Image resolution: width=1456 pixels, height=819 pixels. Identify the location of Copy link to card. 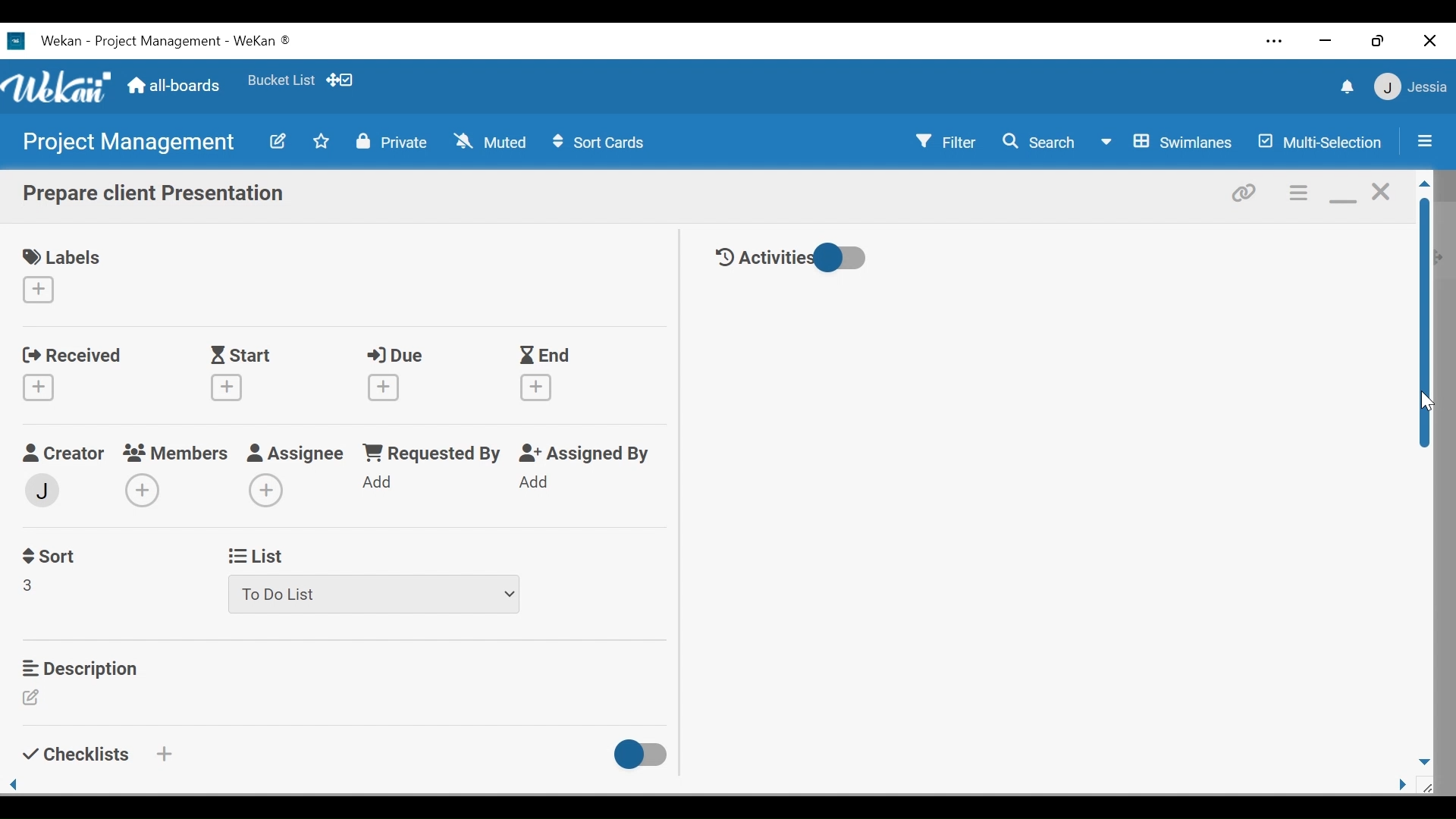
(1240, 193).